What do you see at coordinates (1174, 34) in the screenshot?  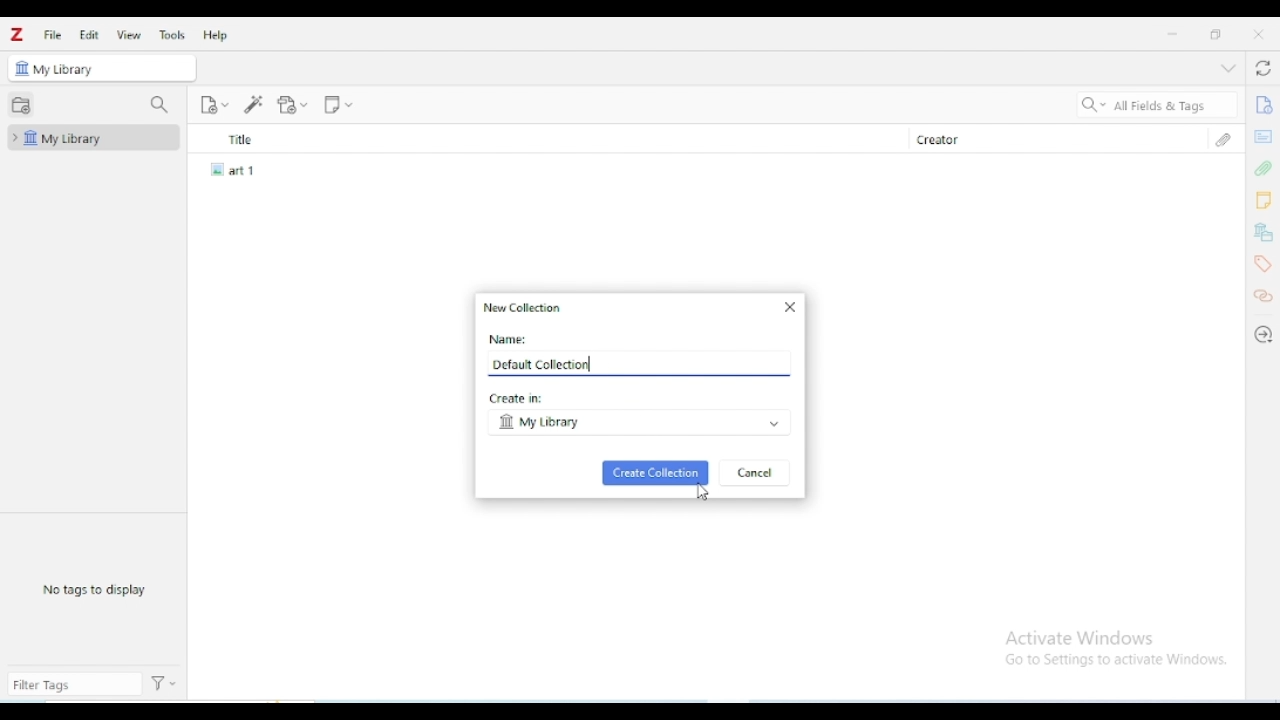 I see `minimize` at bounding box center [1174, 34].